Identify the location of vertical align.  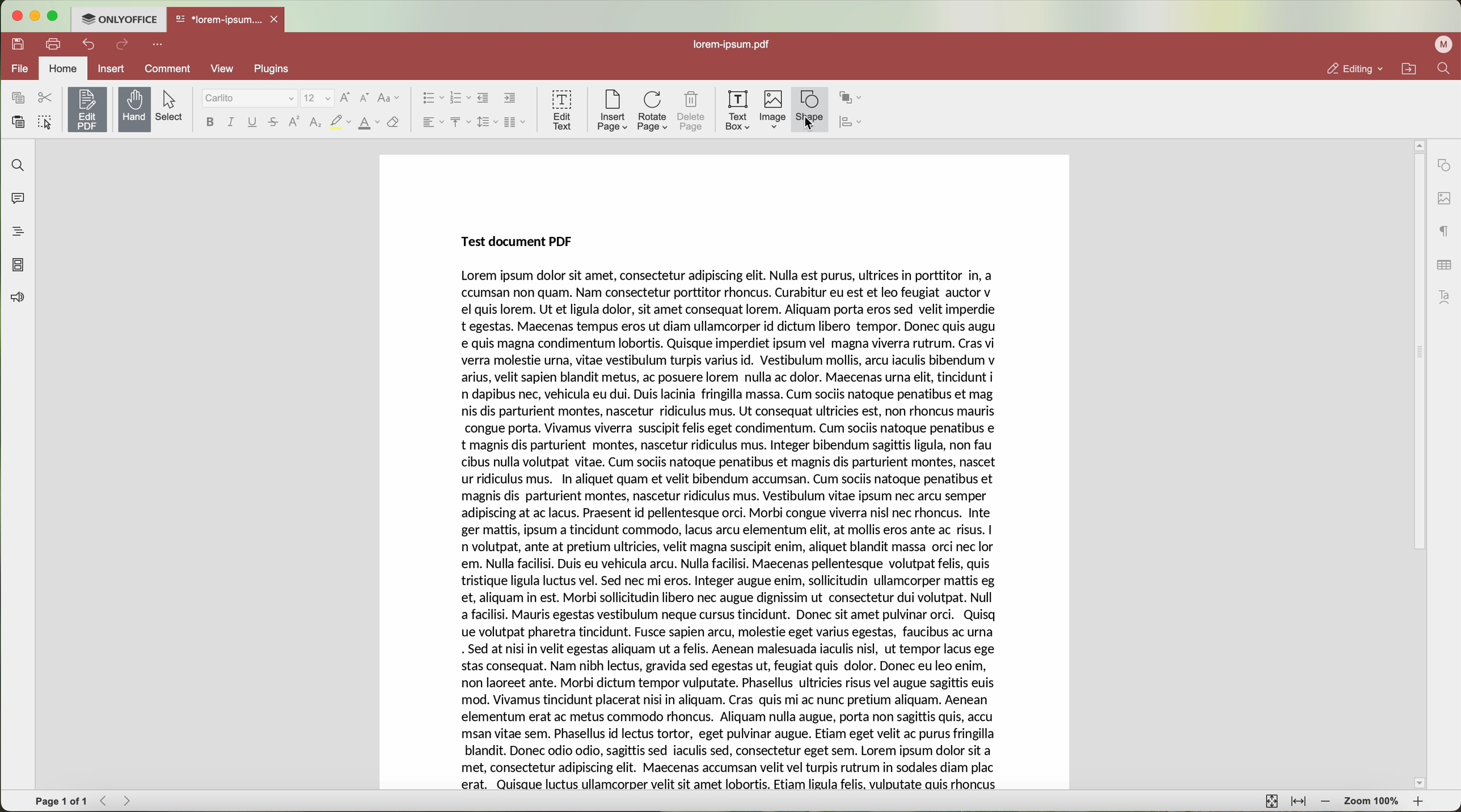
(458, 122).